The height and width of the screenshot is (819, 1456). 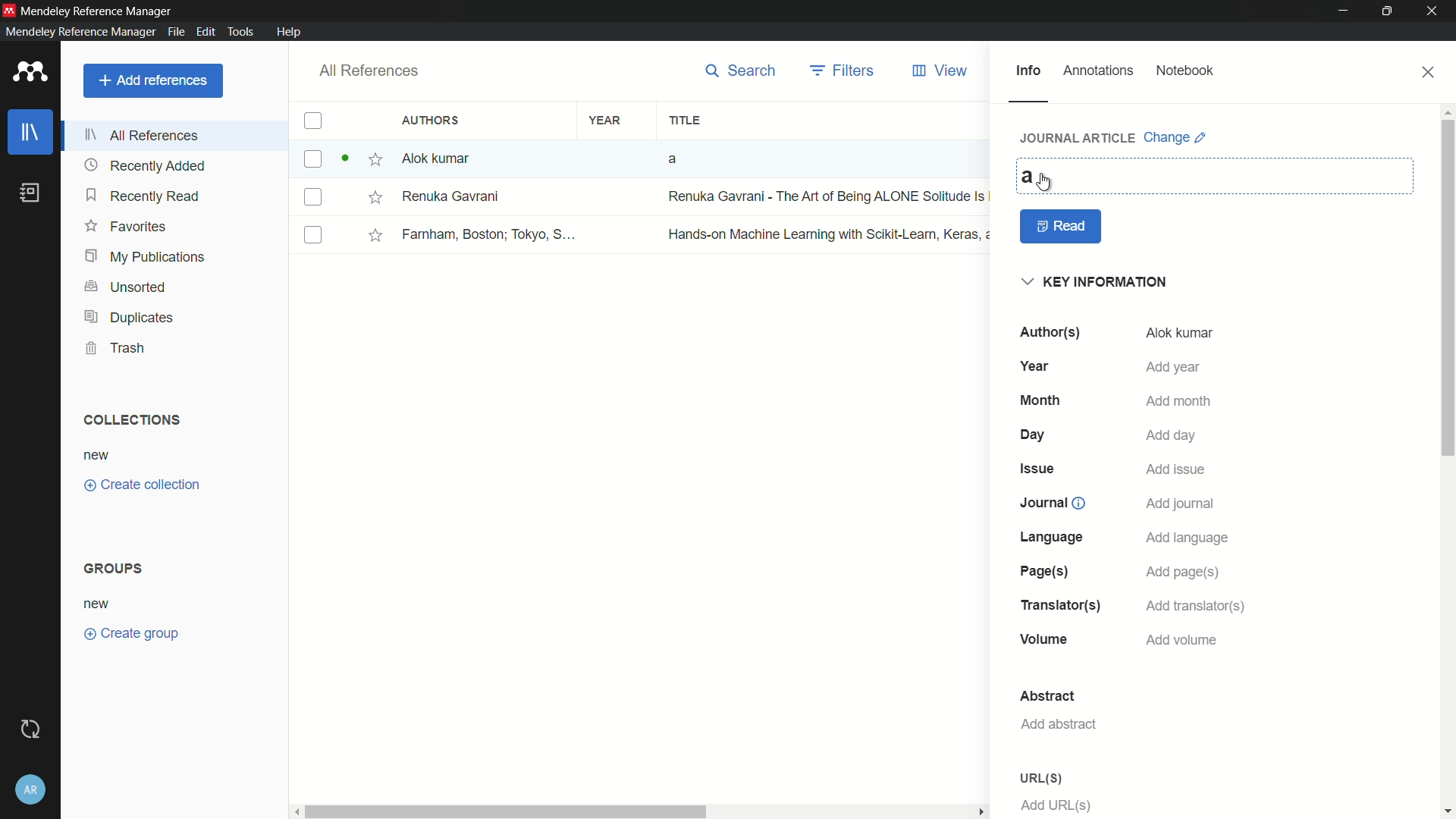 I want to click on journal, so click(x=1050, y=503).